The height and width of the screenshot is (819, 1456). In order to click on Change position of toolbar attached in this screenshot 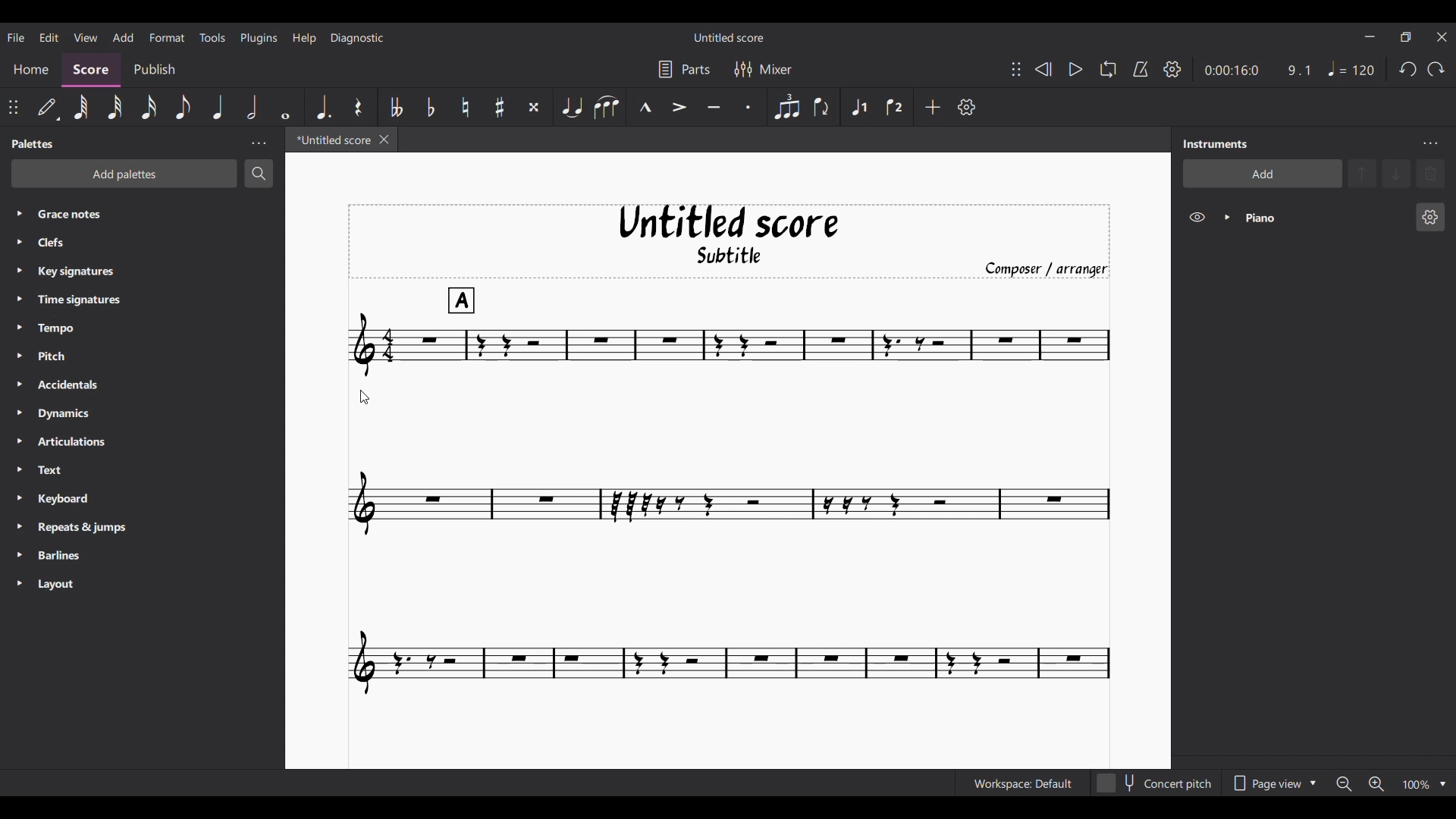, I will do `click(1016, 69)`.